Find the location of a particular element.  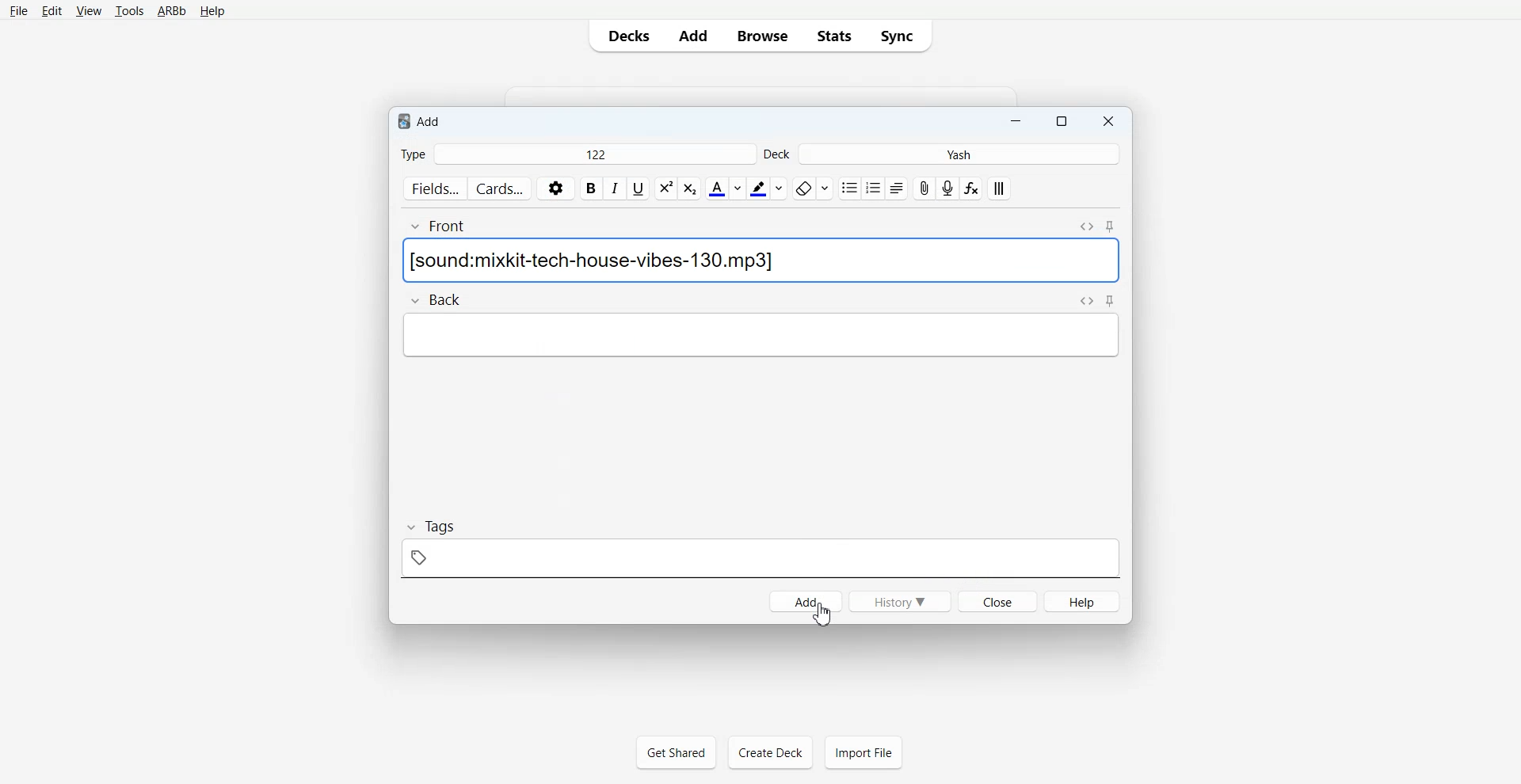

fields is located at coordinates (435, 186).